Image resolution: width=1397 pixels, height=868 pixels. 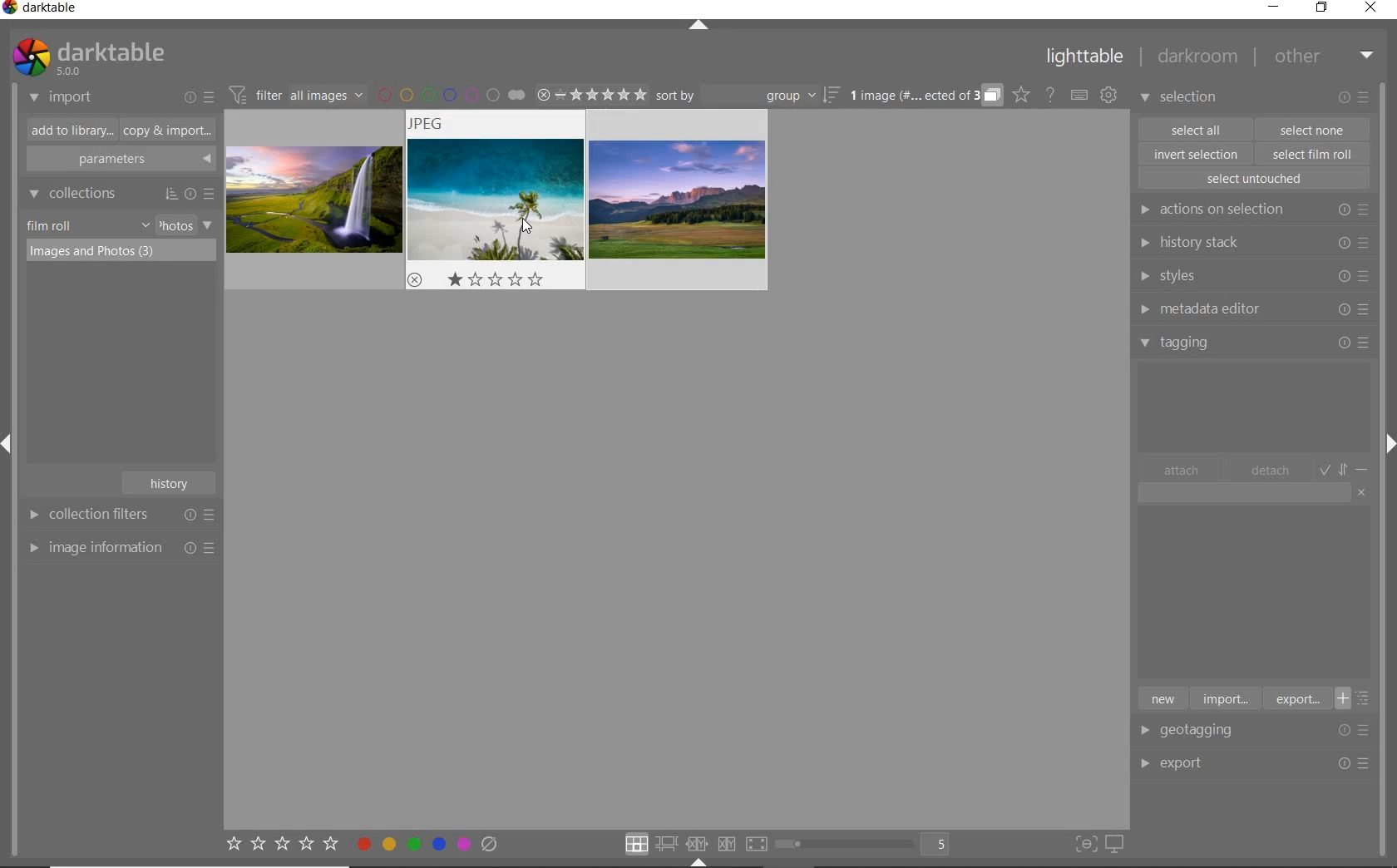 I want to click on other, so click(x=1324, y=56).